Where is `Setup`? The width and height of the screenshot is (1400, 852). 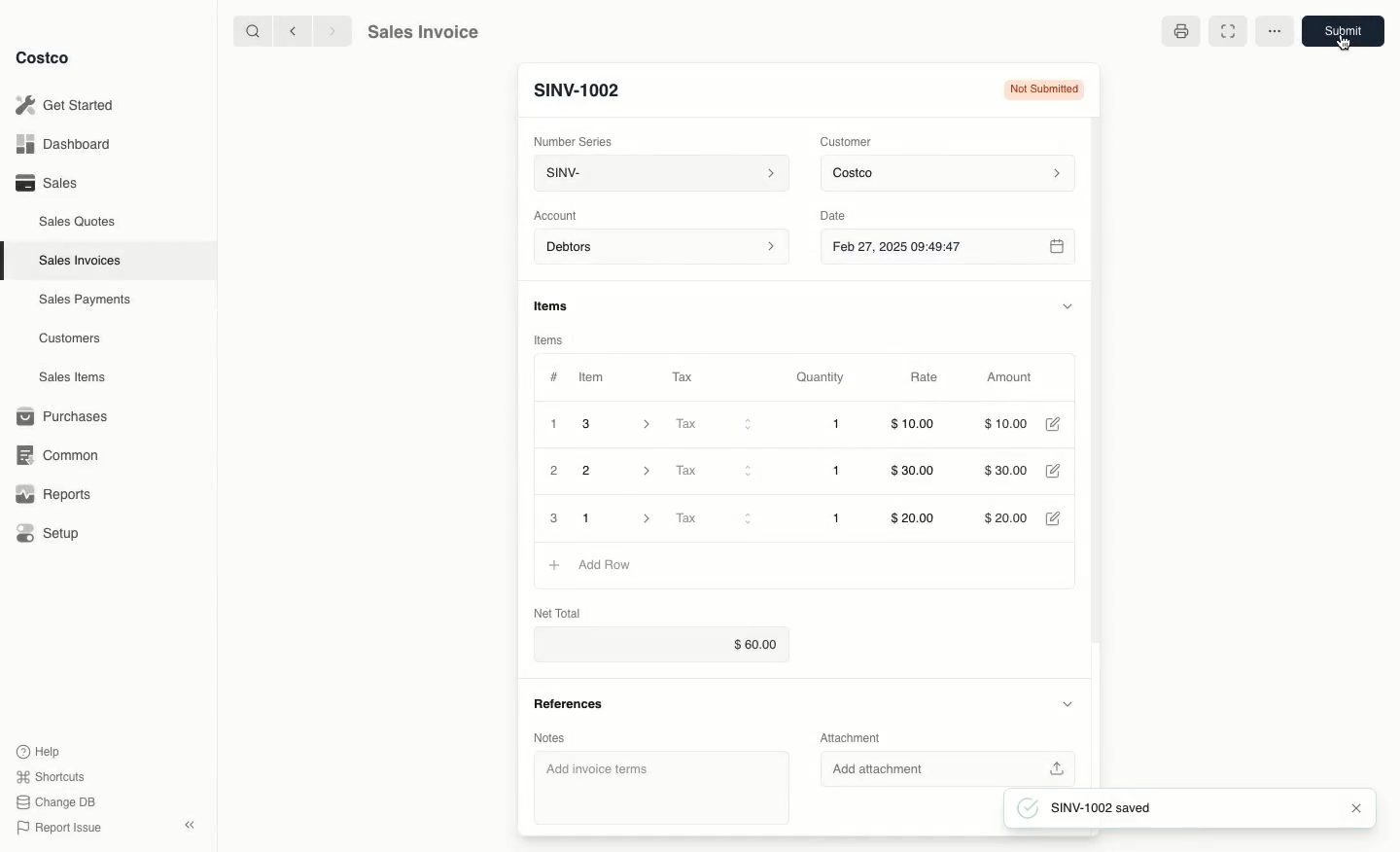 Setup is located at coordinates (50, 535).